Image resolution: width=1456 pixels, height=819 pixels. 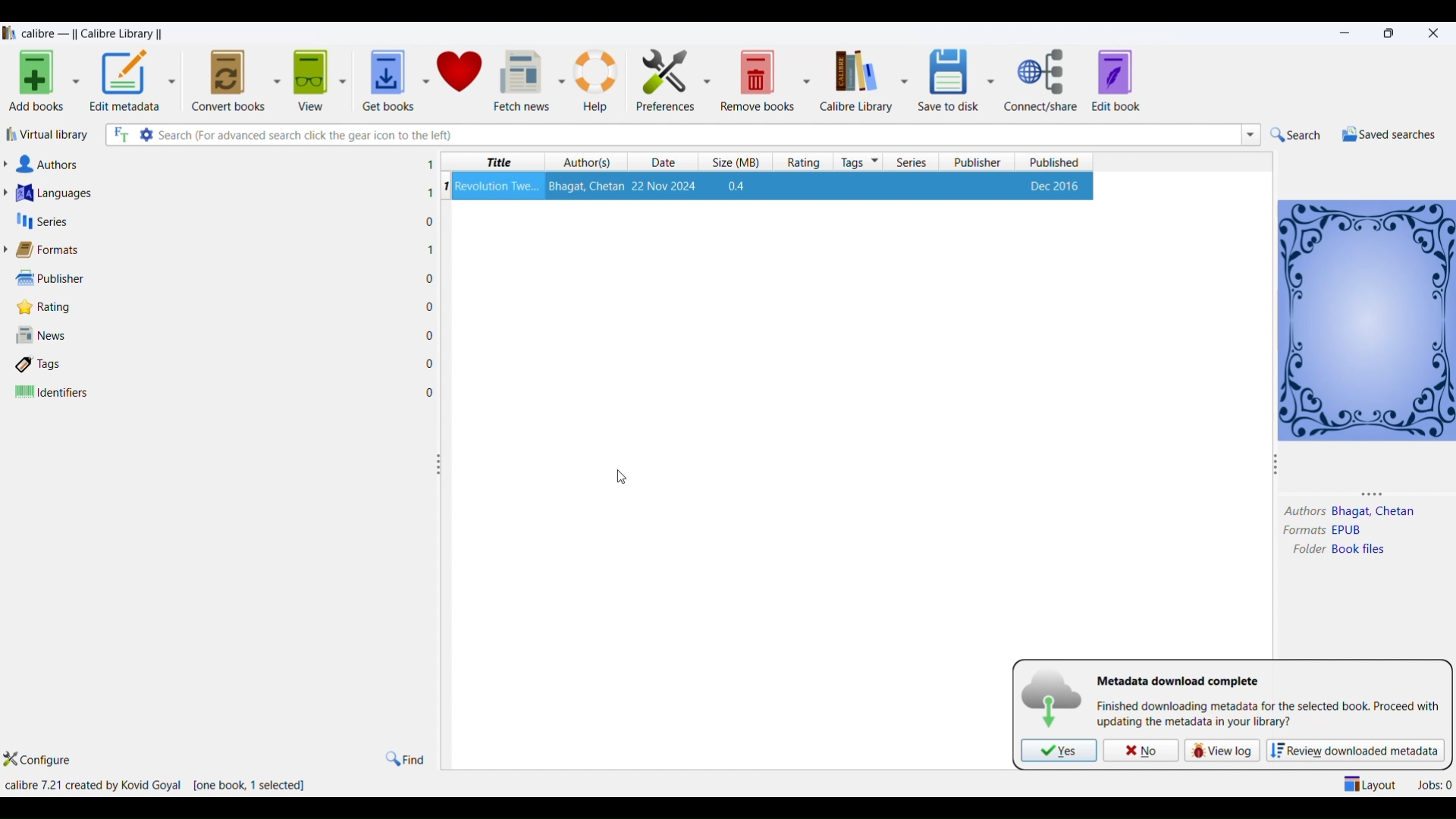 What do you see at coordinates (1376, 513) in the screenshot?
I see `author name` at bounding box center [1376, 513].